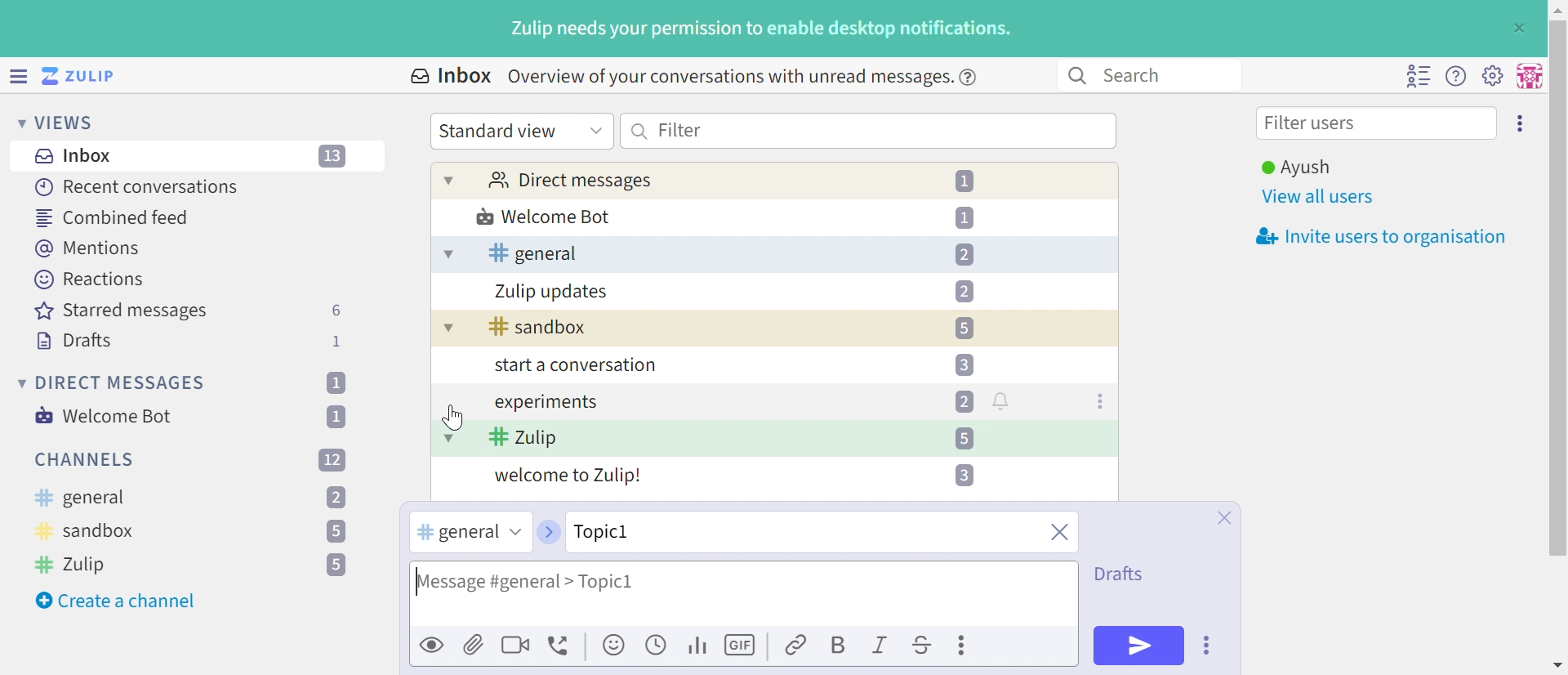 The width and height of the screenshot is (1568, 675). Describe the element at coordinates (659, 644) in the screenshot. I see `Add global time ` at that location.